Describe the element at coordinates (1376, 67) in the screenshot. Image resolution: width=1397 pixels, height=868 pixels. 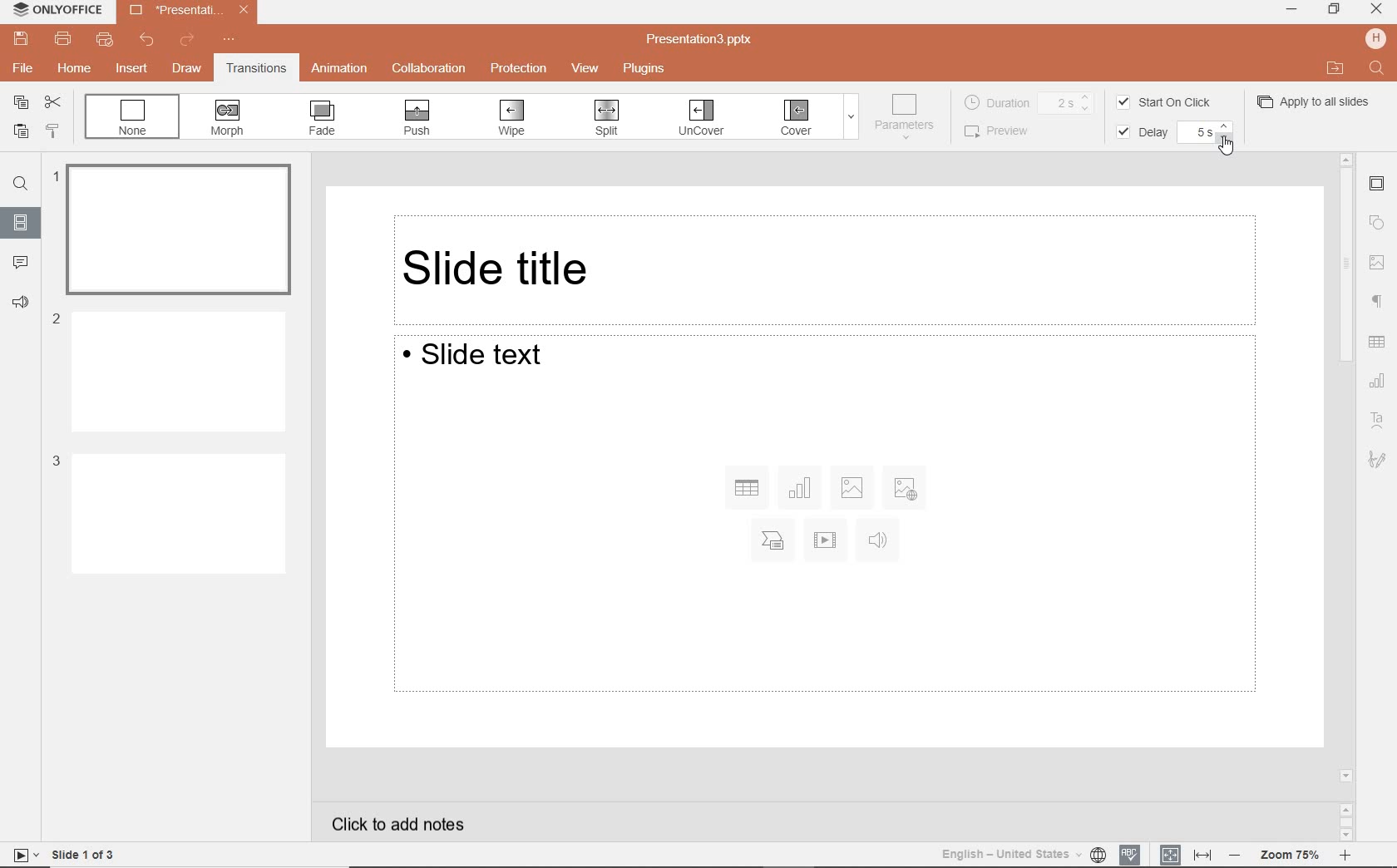
I see `FIND` at that location.